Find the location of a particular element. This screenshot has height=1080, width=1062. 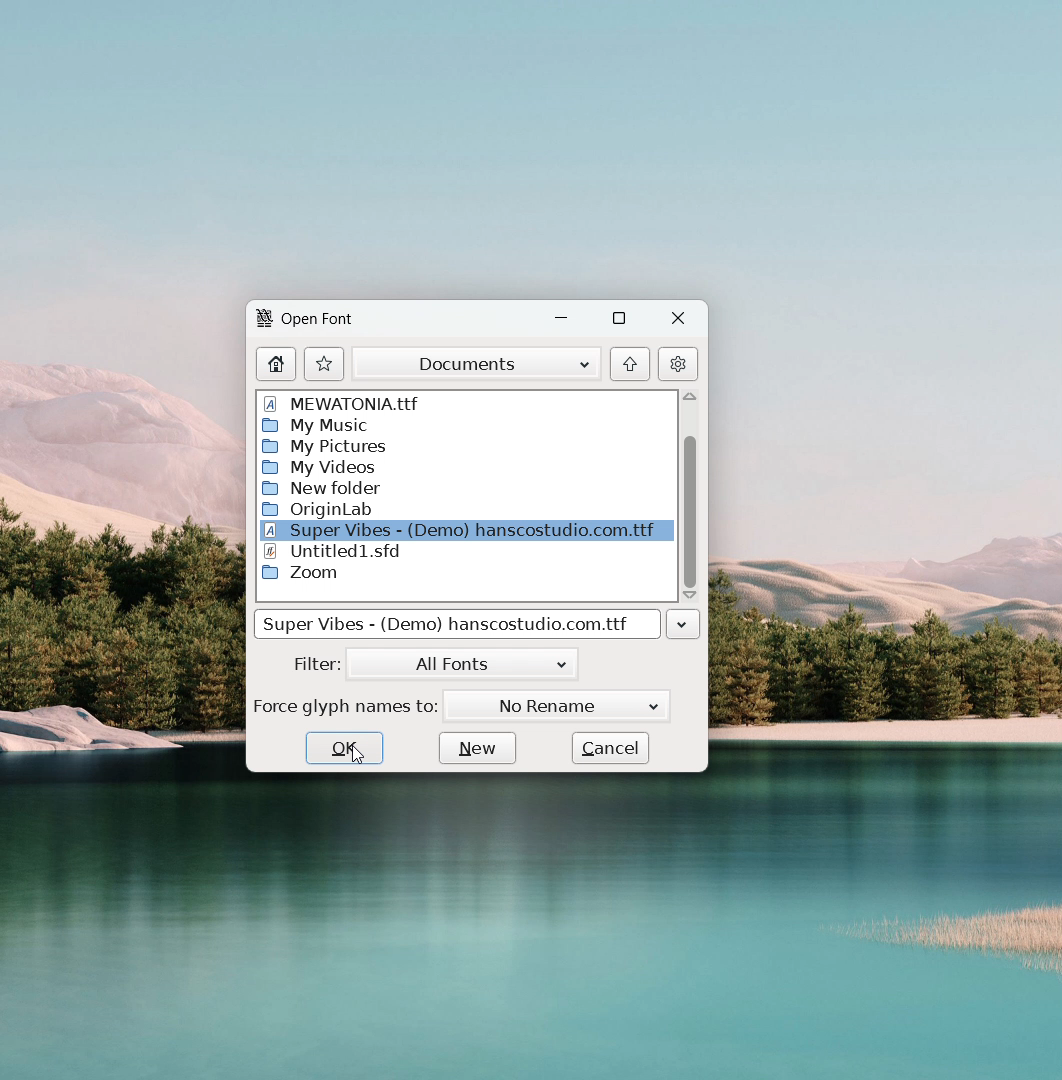

logo is located at coordinates (263, 318).